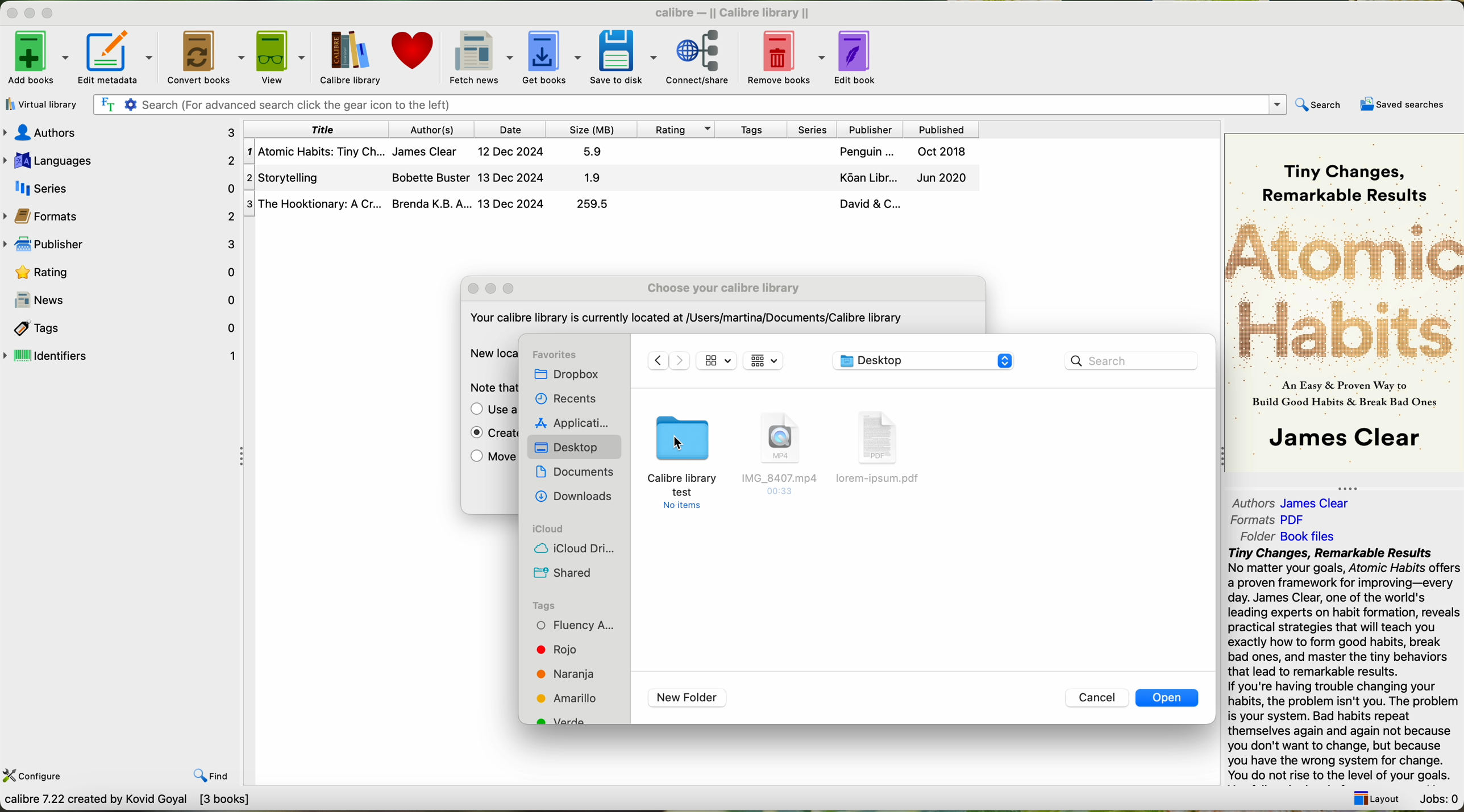 Image resolution: width=1464 pixels, height=812 pixels. I want to click on tags, so click(122, 327).